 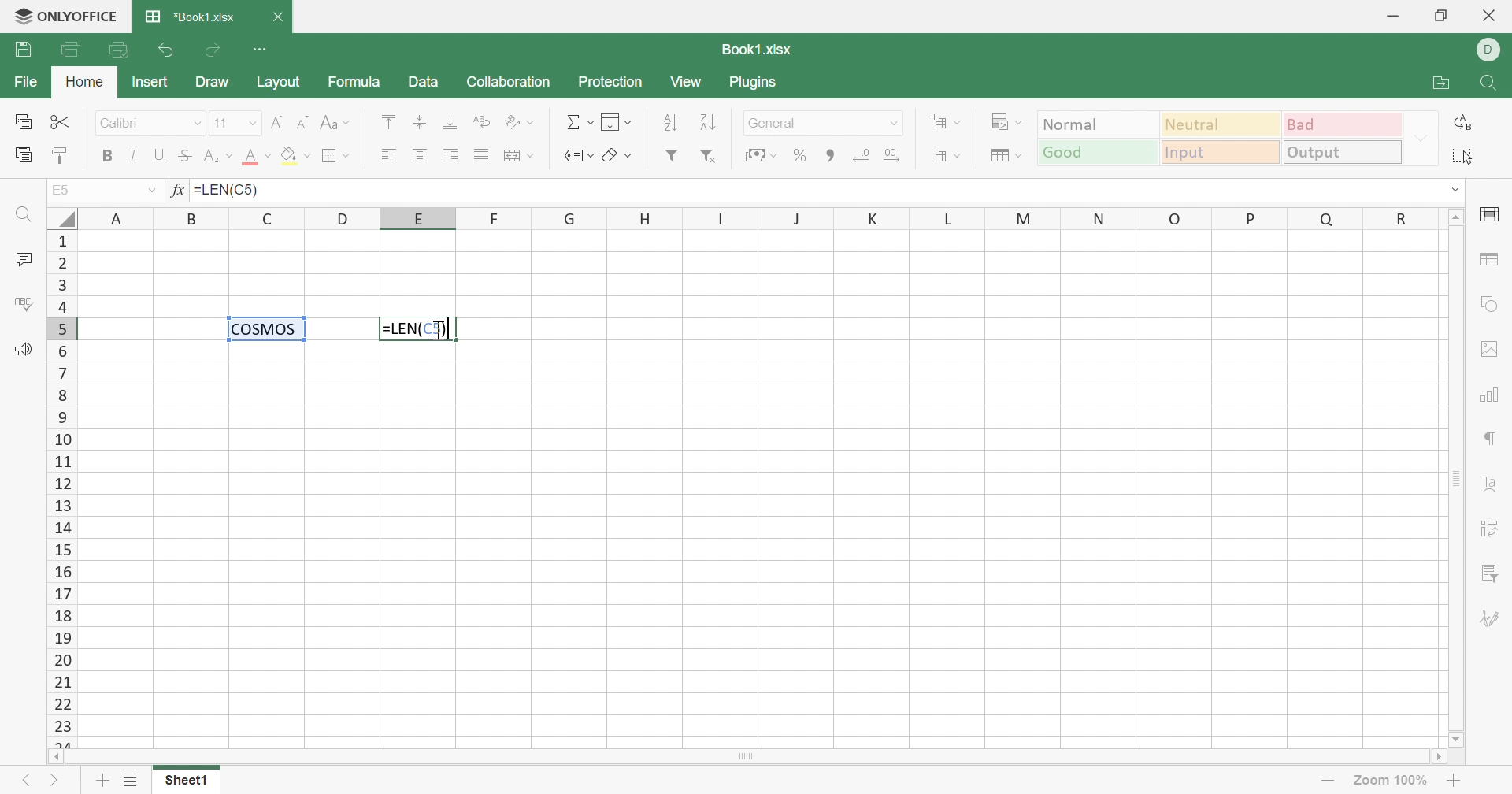 I want to click on Drop down, so click(x=895, y=124).